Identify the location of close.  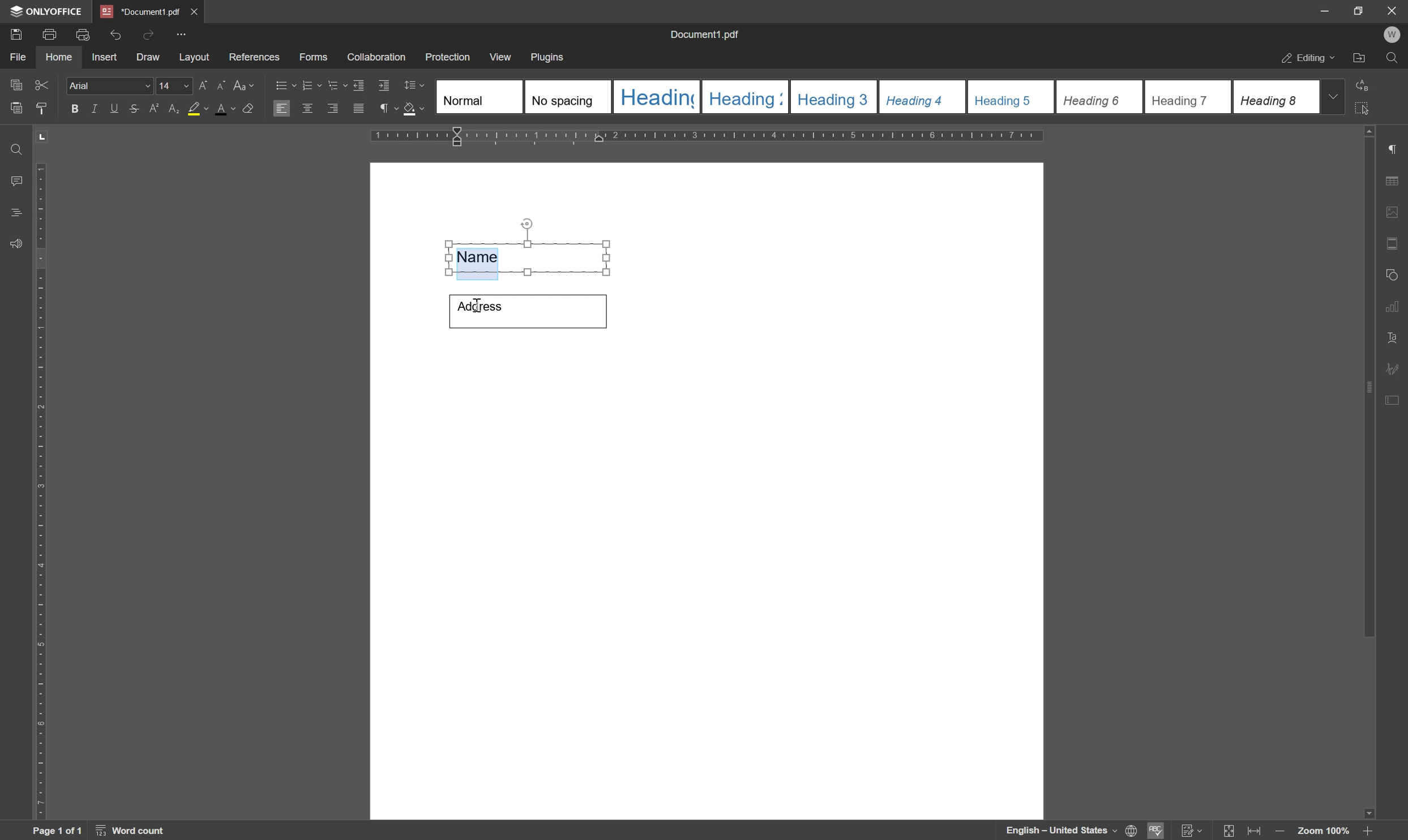
(195, 10).